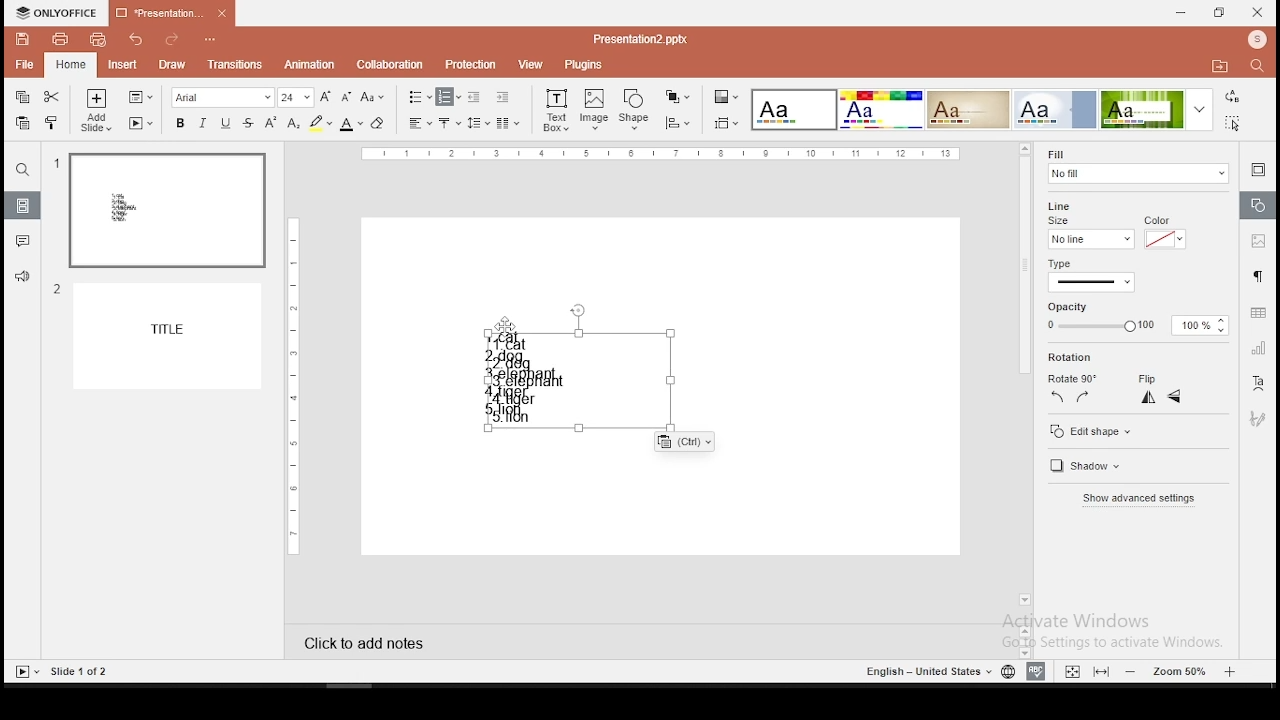  What do you see at coordinates (320, 123) in the screenshot?
I see `highlight` at bounding box center [320, 123].